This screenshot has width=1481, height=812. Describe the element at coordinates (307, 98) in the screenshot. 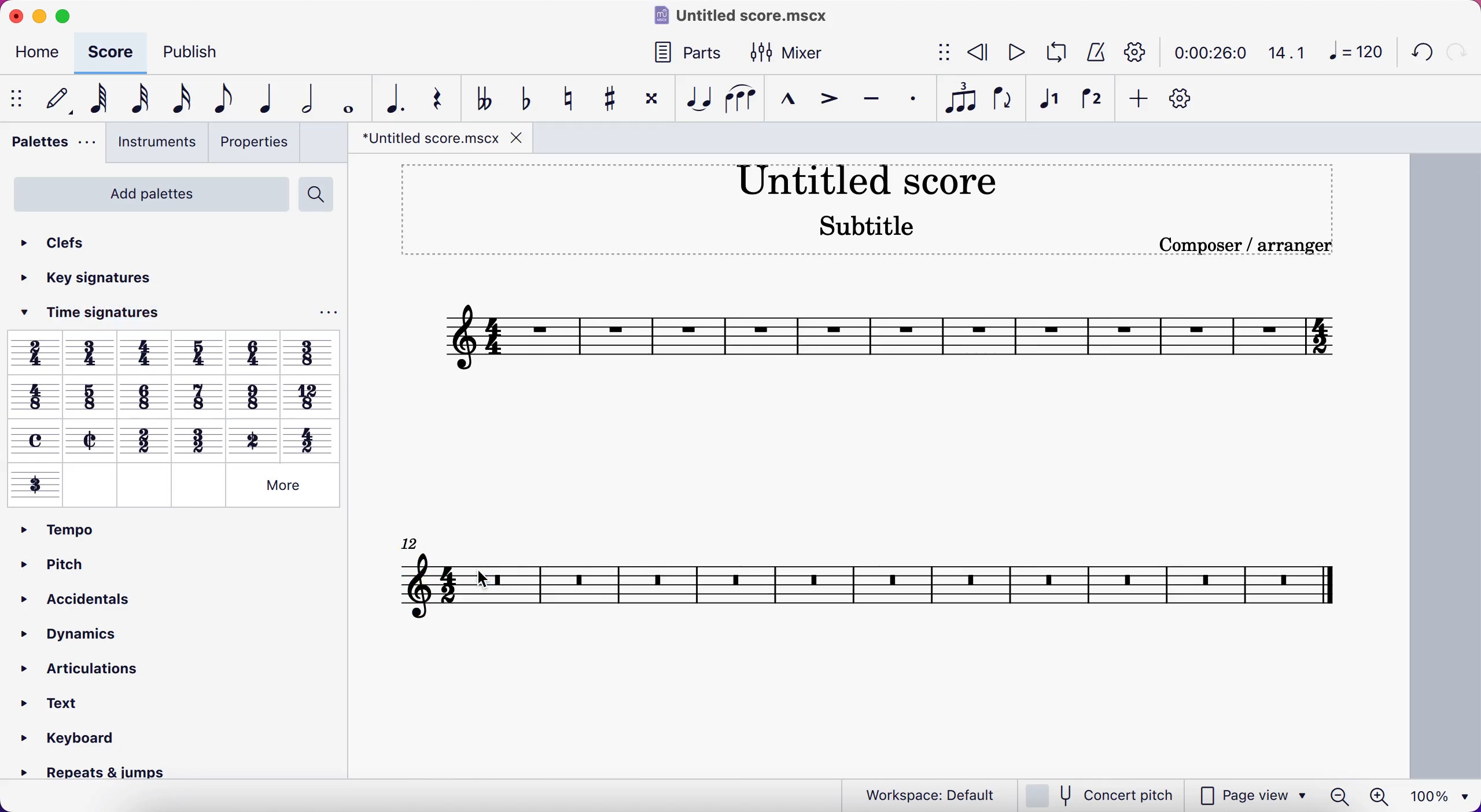

I see `half note` at that location.